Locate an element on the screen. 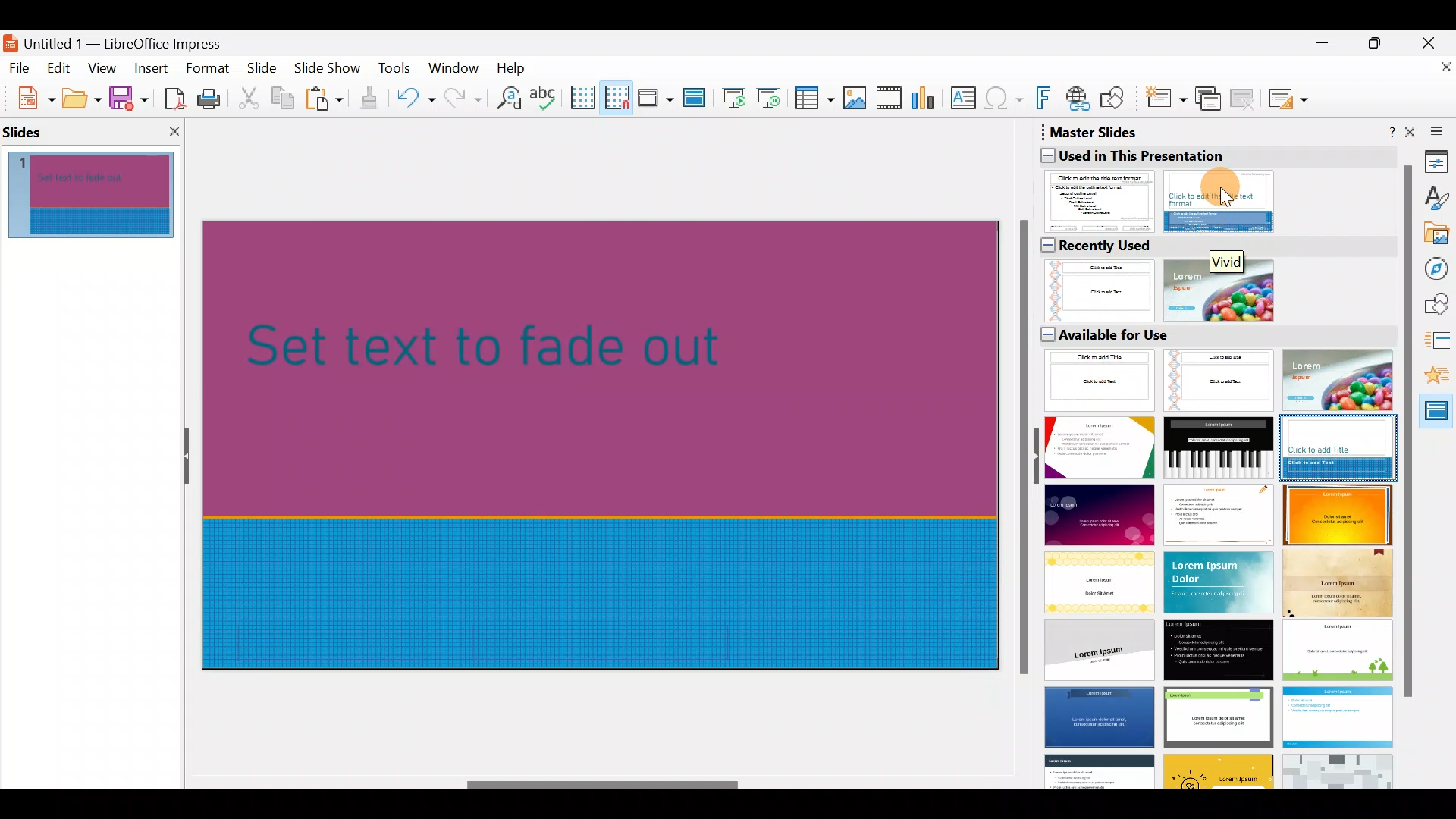 This screenshot has height=819, width=1456. Scroll bar is located at coordinates (1021, 449).